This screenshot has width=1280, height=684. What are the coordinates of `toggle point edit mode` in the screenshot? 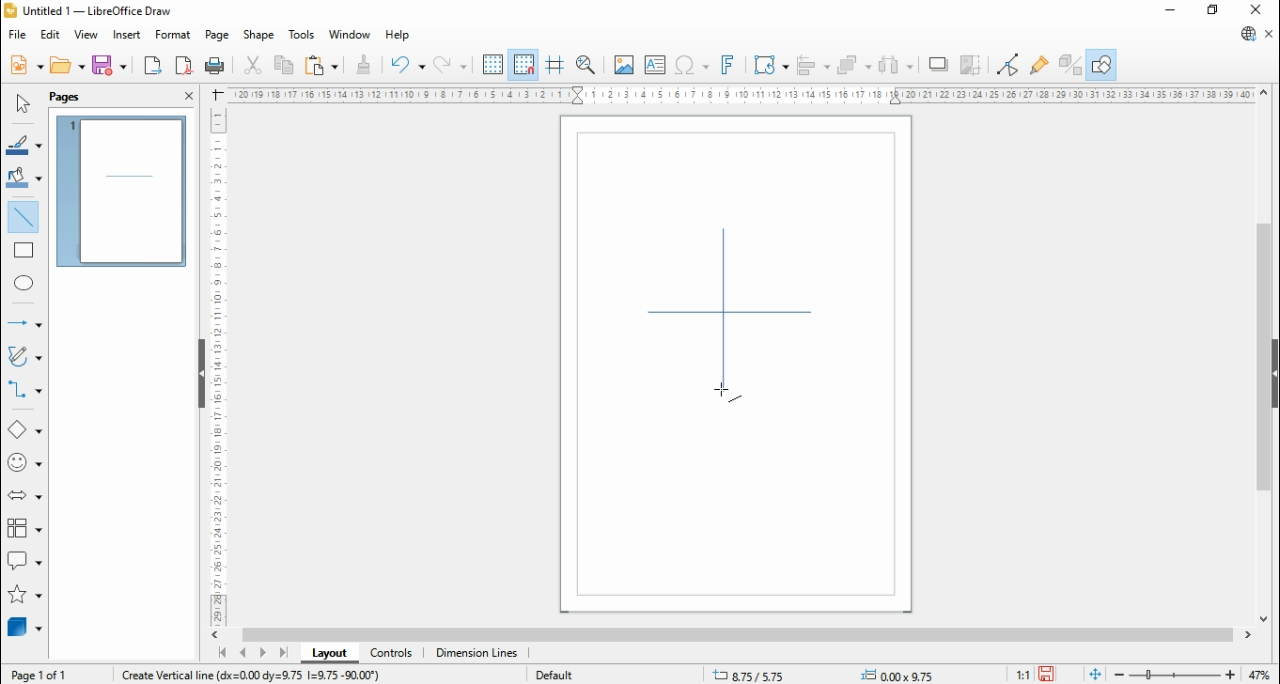 It's located at (1008, 63).